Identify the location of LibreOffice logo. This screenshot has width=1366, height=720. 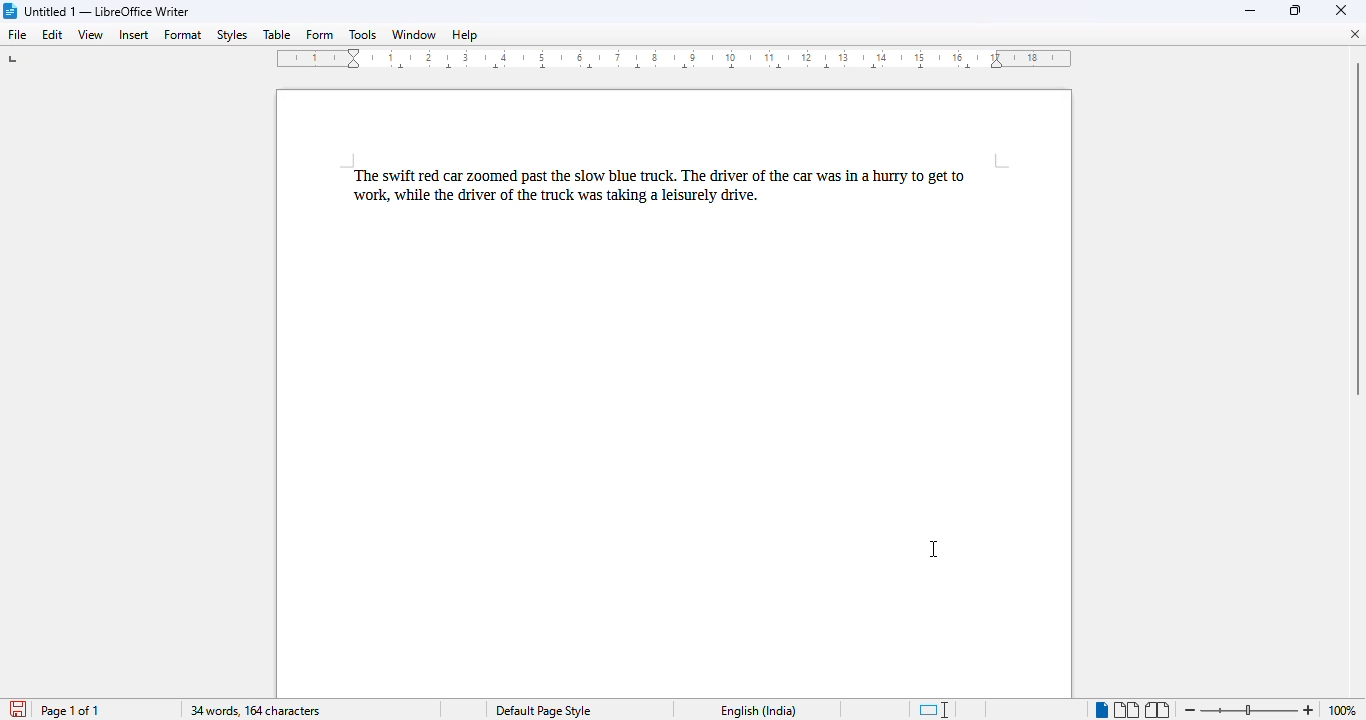
(9, 10).